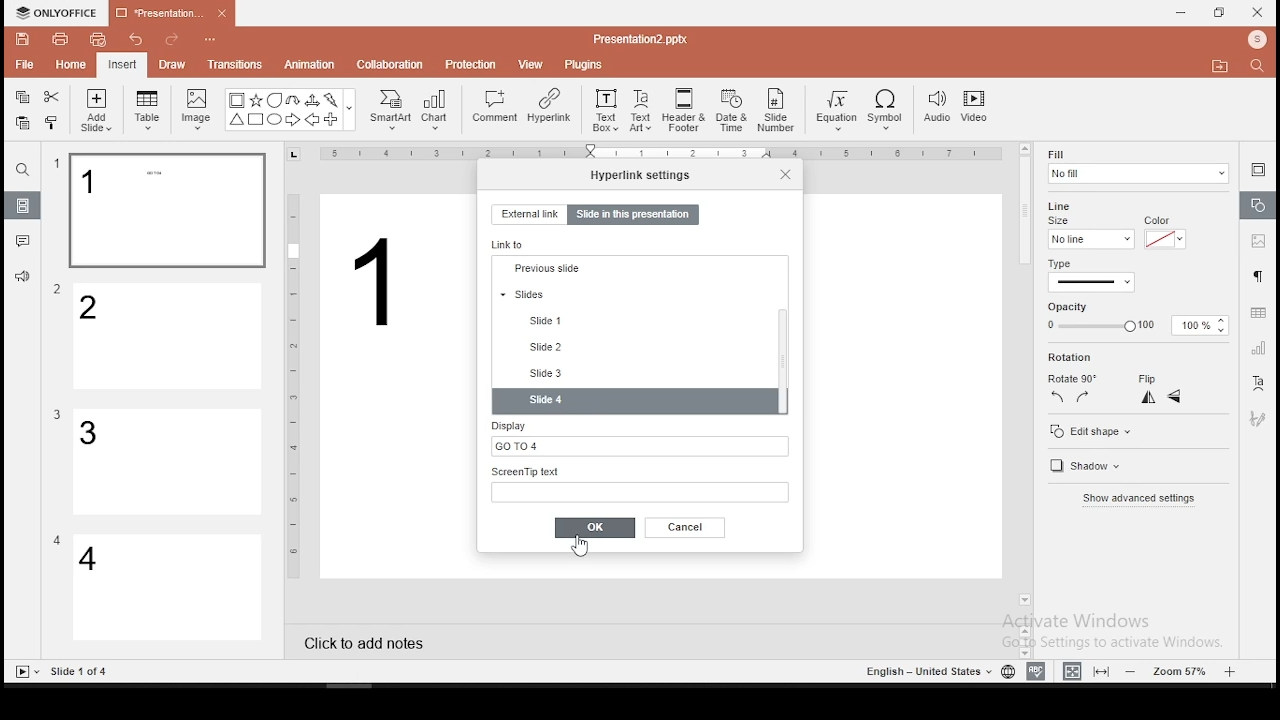  Describe the element at coordinates (633, 373) in the screenshot. I see ` slides` at that location.